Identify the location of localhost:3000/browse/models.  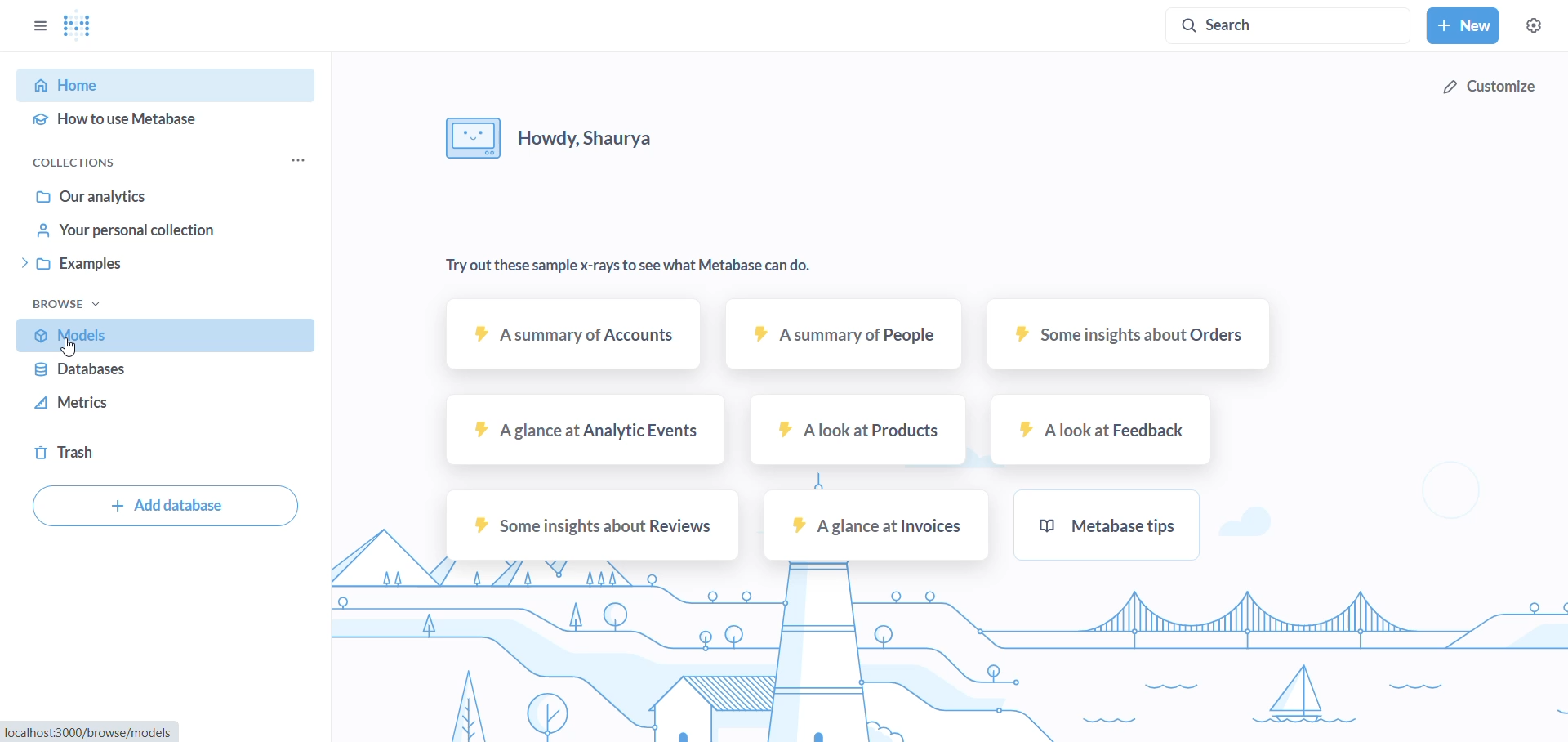
(90, 731).